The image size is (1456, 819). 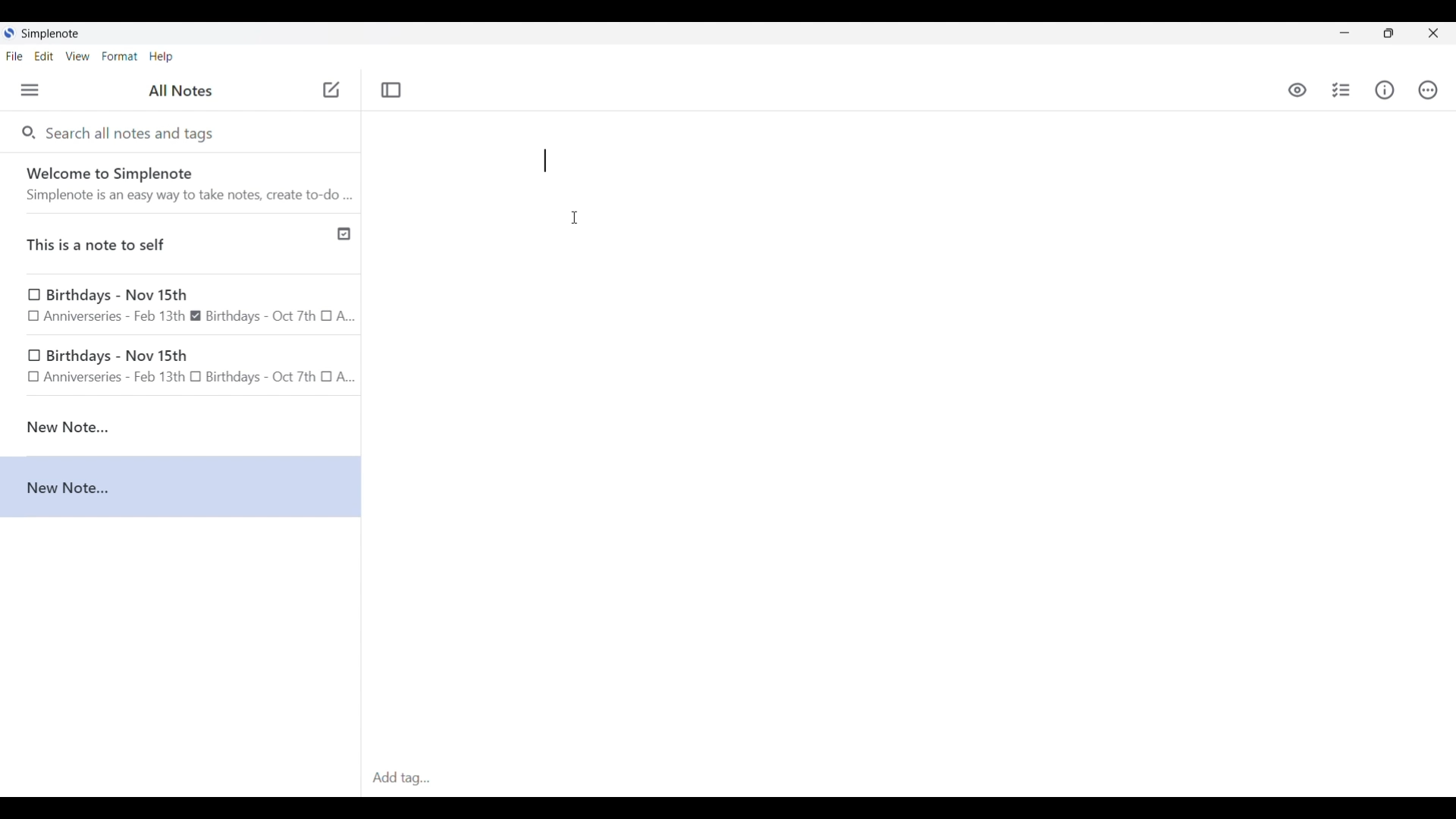 I want to click on Click to add new note, so click(x=331, y=89).